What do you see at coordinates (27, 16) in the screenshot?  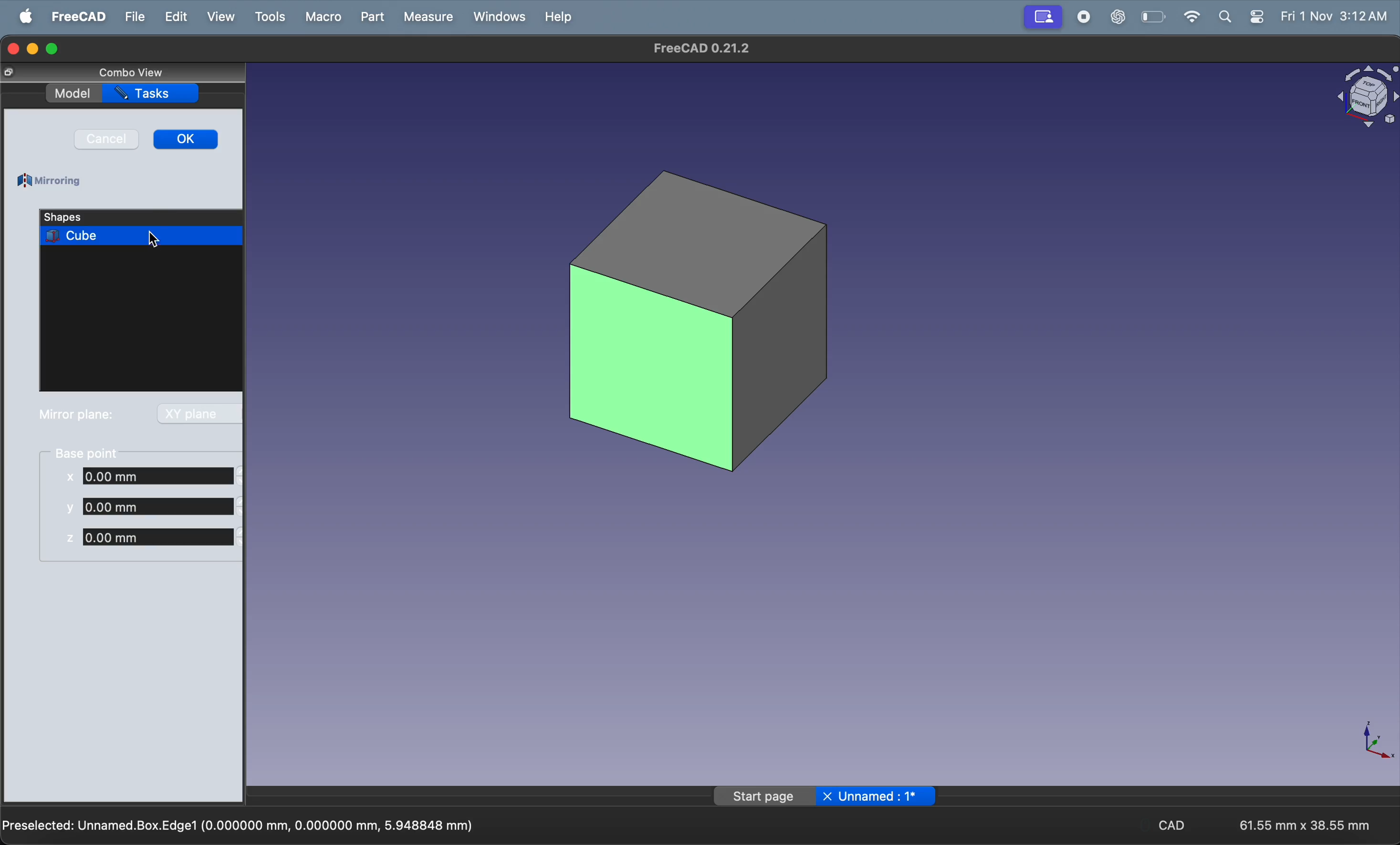 I see `apple menu` at bounding box center [27, 16].